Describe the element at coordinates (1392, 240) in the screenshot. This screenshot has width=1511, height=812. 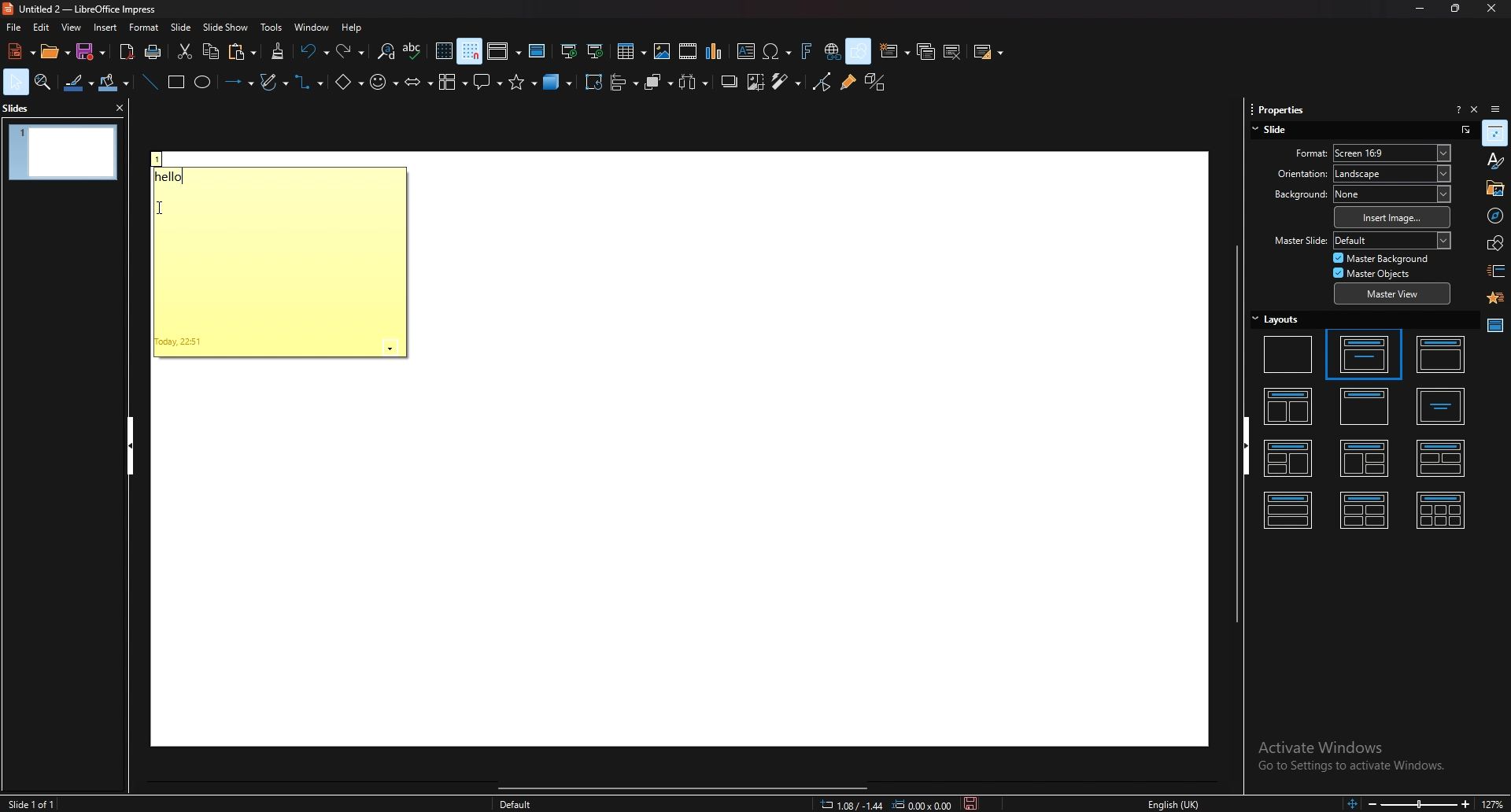
I see `master slide default` at that location.